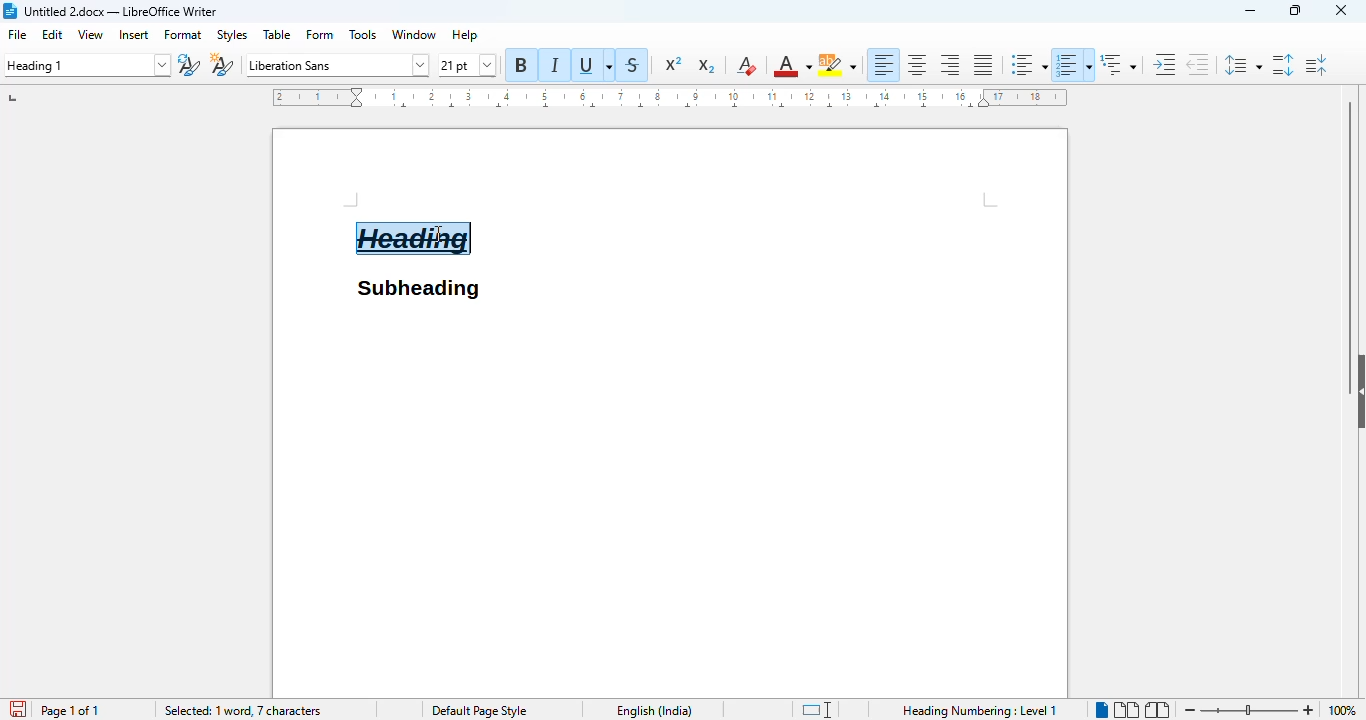  Describe the element at coordinates (883, 64) in the screenshot. I see `align left` at that location.